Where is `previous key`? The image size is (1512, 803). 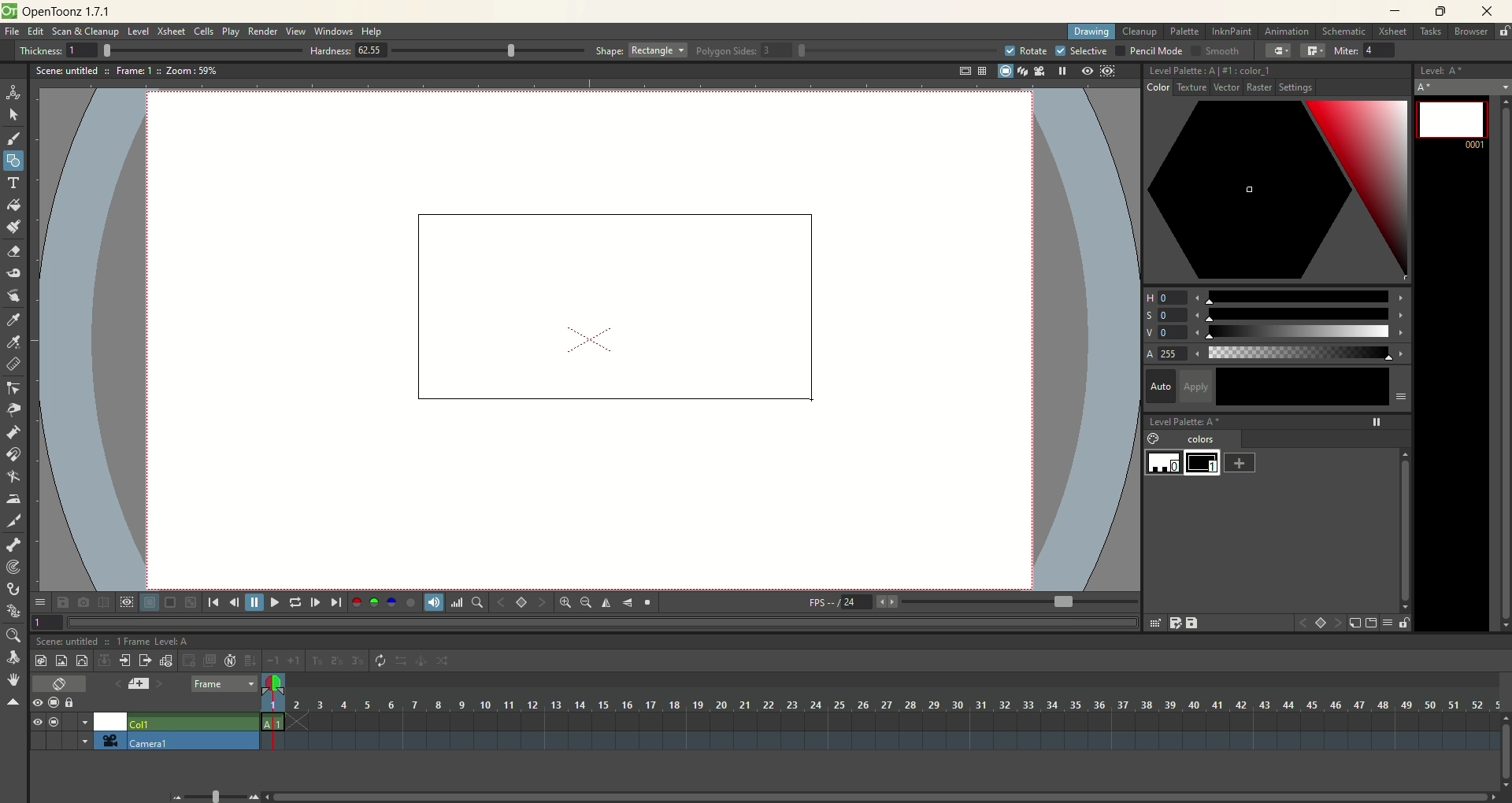
previous key is located at coordinates (1303, 625).